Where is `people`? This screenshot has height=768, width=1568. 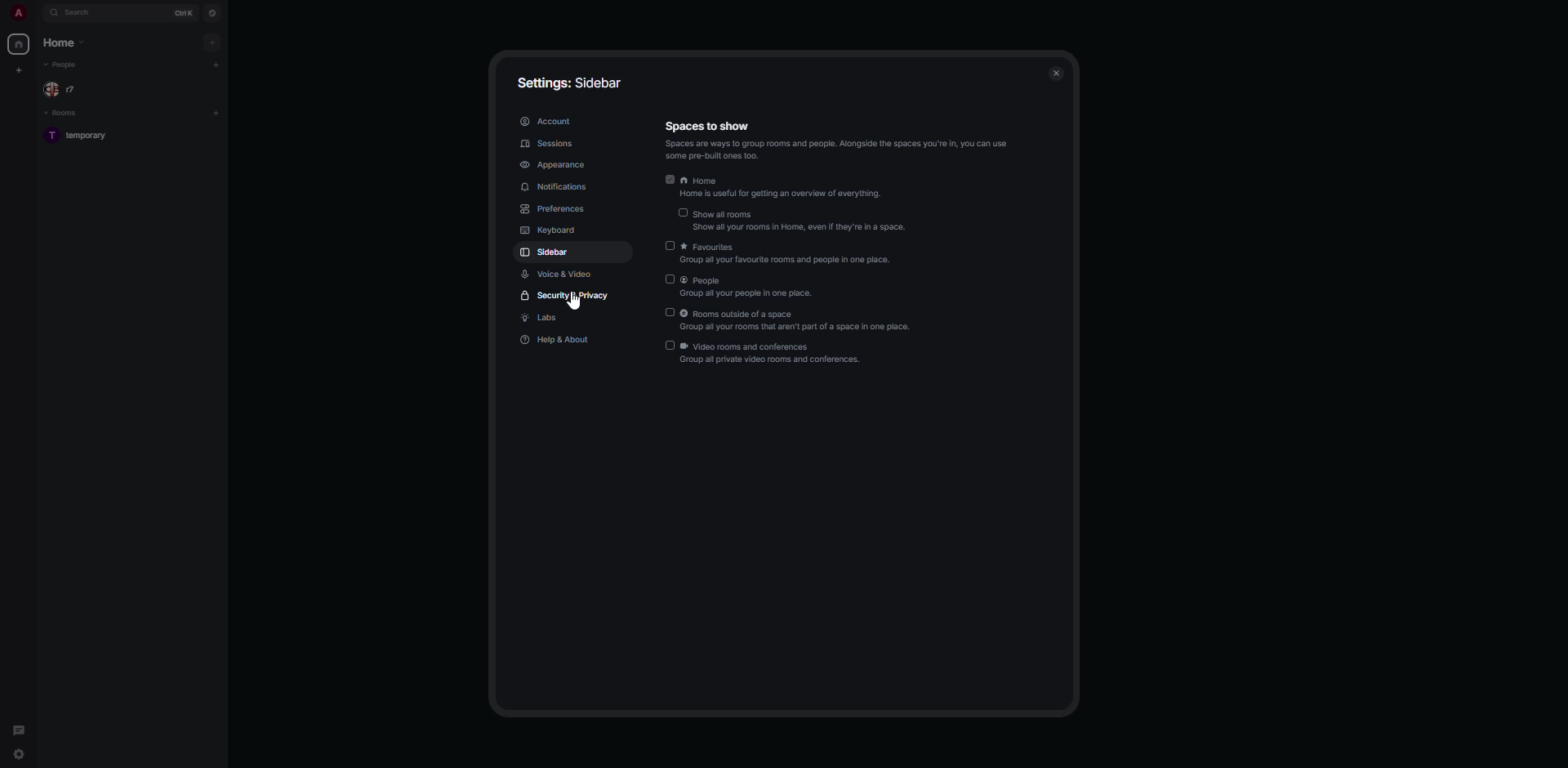 people is located at coordinates (66, 66).